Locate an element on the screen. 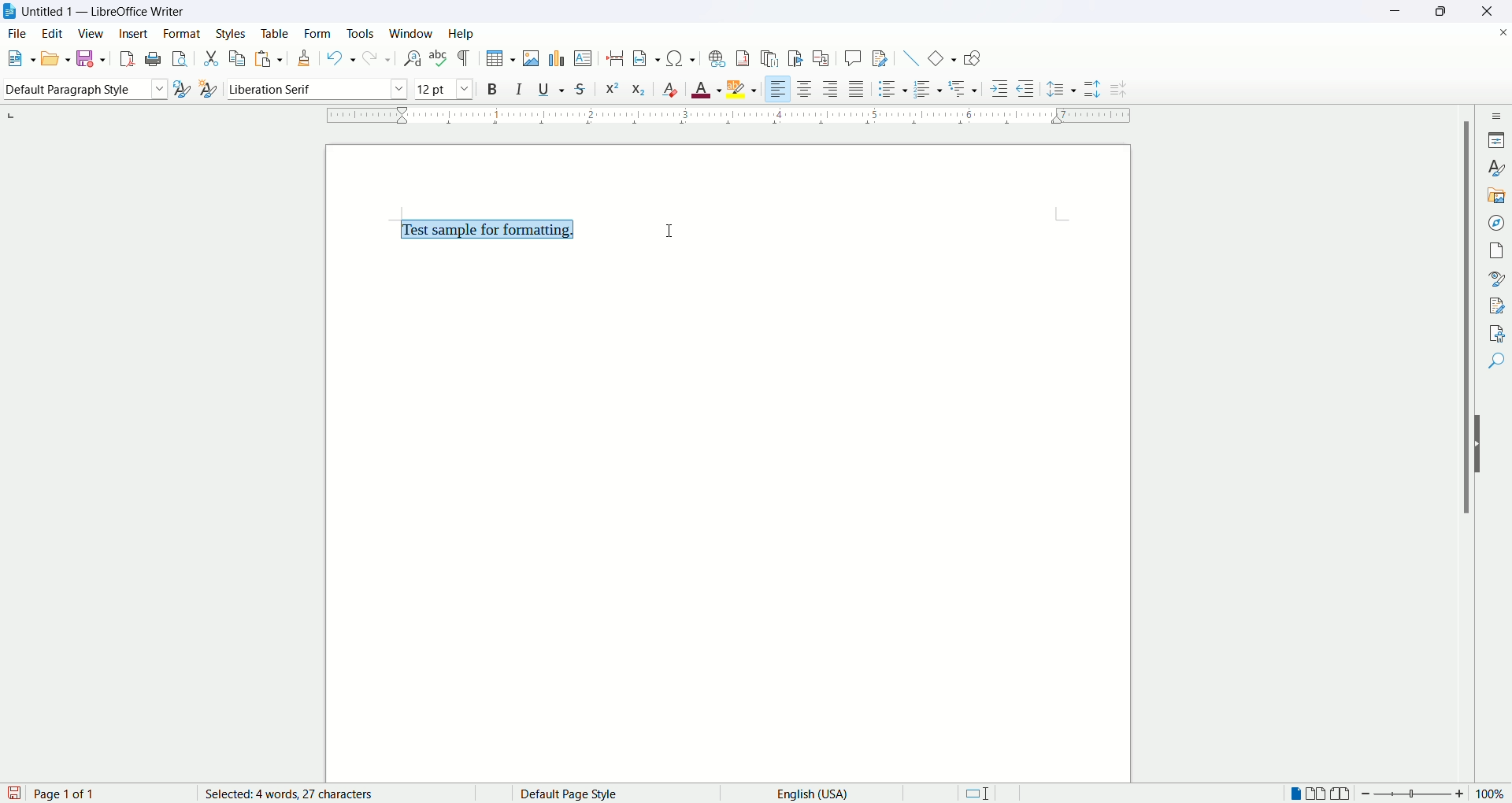  decrease indent is located at coordinates (1026, 89).